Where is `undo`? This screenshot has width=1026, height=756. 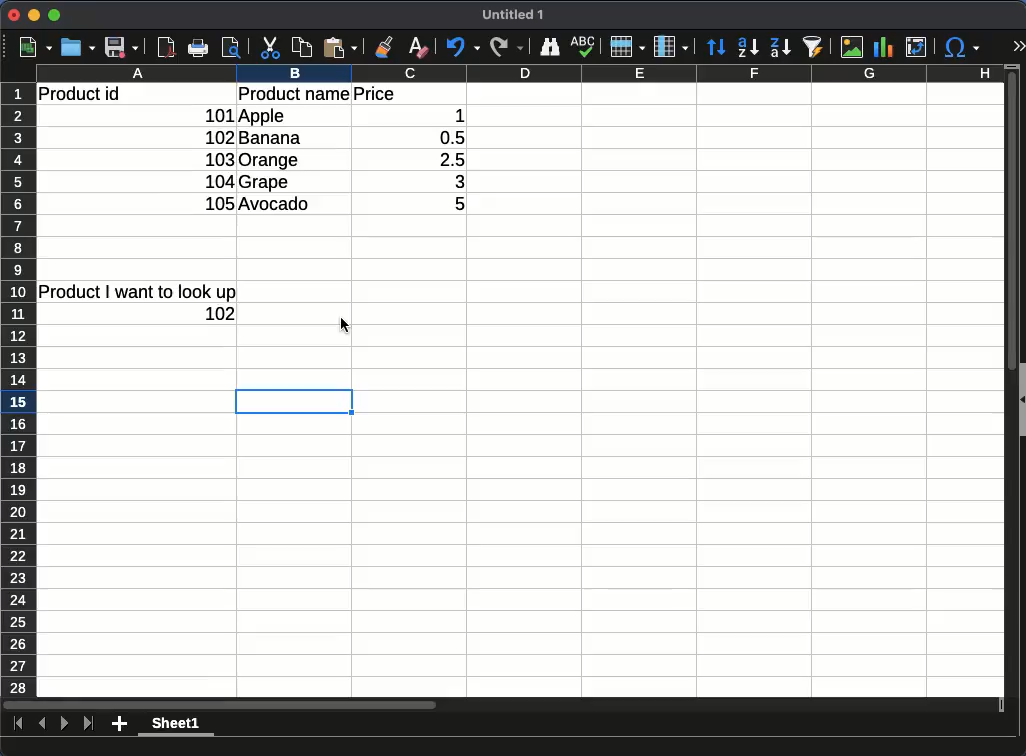 undo is located at coordinates (464, 47).